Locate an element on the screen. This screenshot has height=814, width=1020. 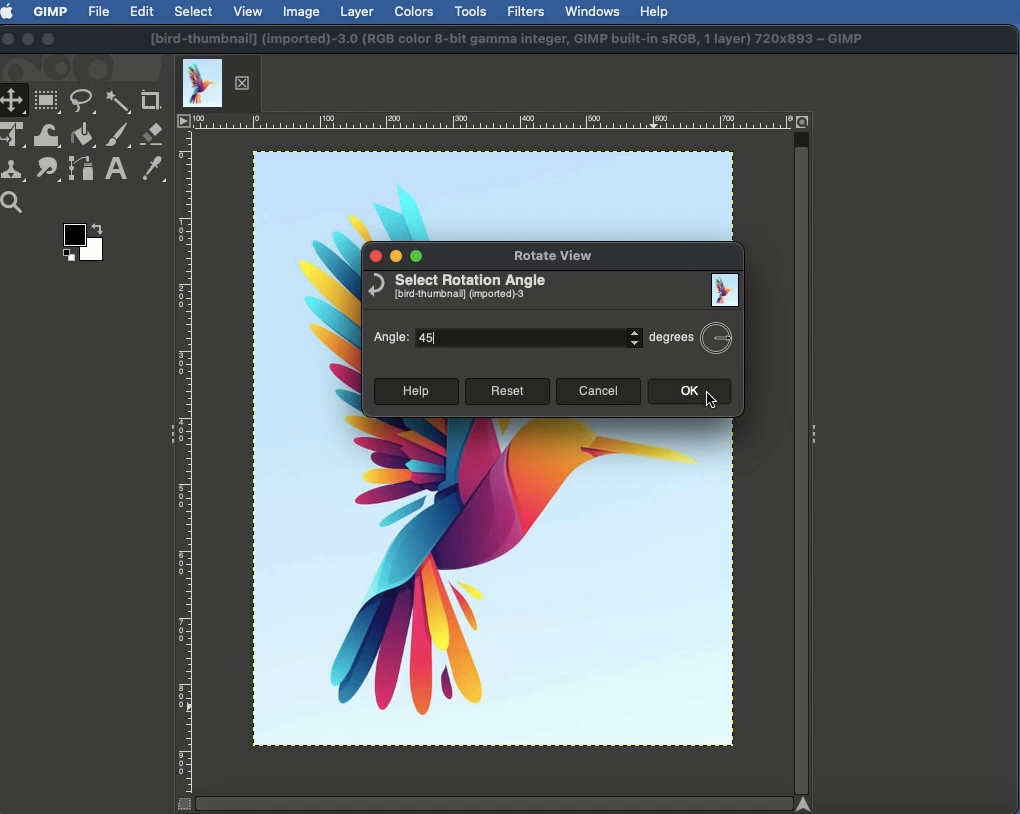
Angle: is located at coordinates (394, 340).